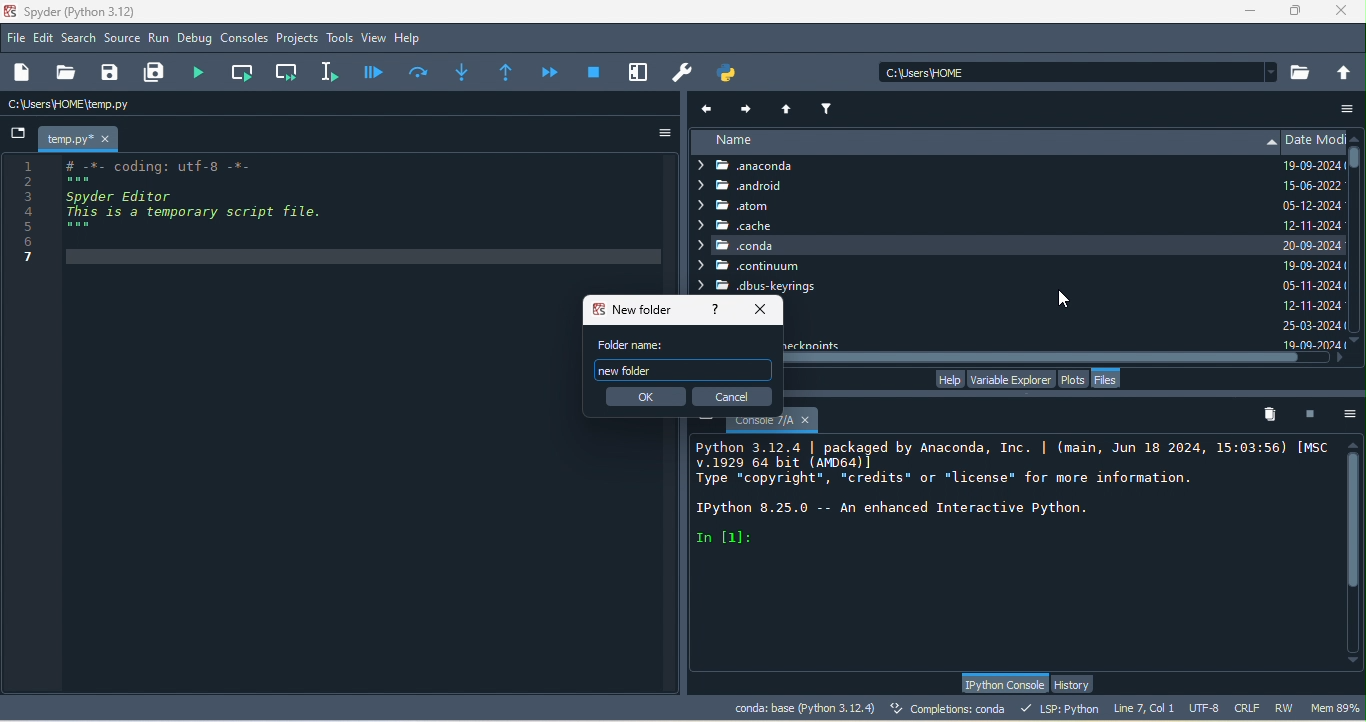  What do you see at coordinates (765, 308) in the screenshot?
I see `close` at bounding box center [765, 308].